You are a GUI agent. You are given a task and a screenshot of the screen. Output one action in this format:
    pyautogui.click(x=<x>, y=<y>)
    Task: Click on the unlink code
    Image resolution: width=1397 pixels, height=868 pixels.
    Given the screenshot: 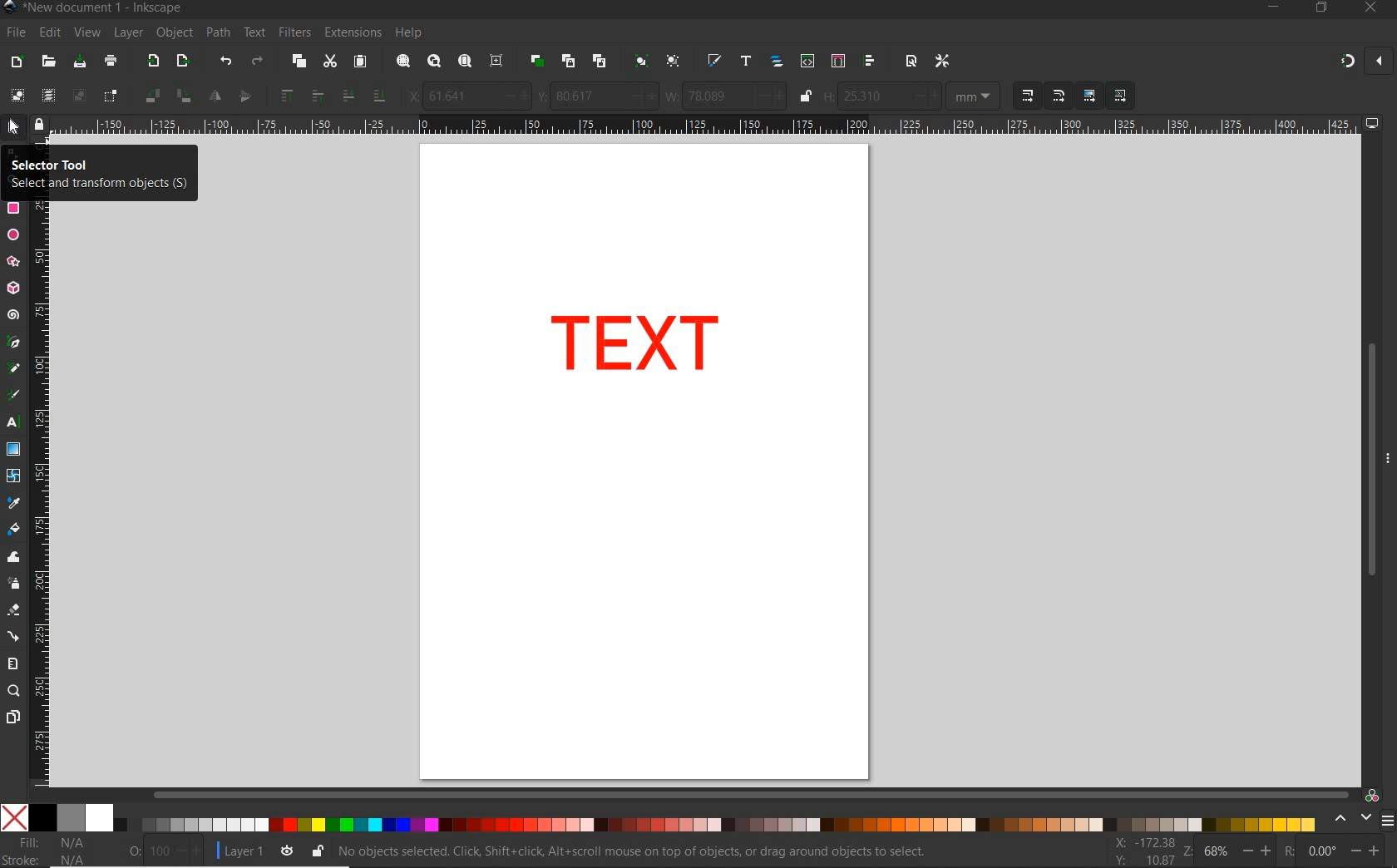 What is the action you would take?
    pyautogui.click(x=596, y=61)
    